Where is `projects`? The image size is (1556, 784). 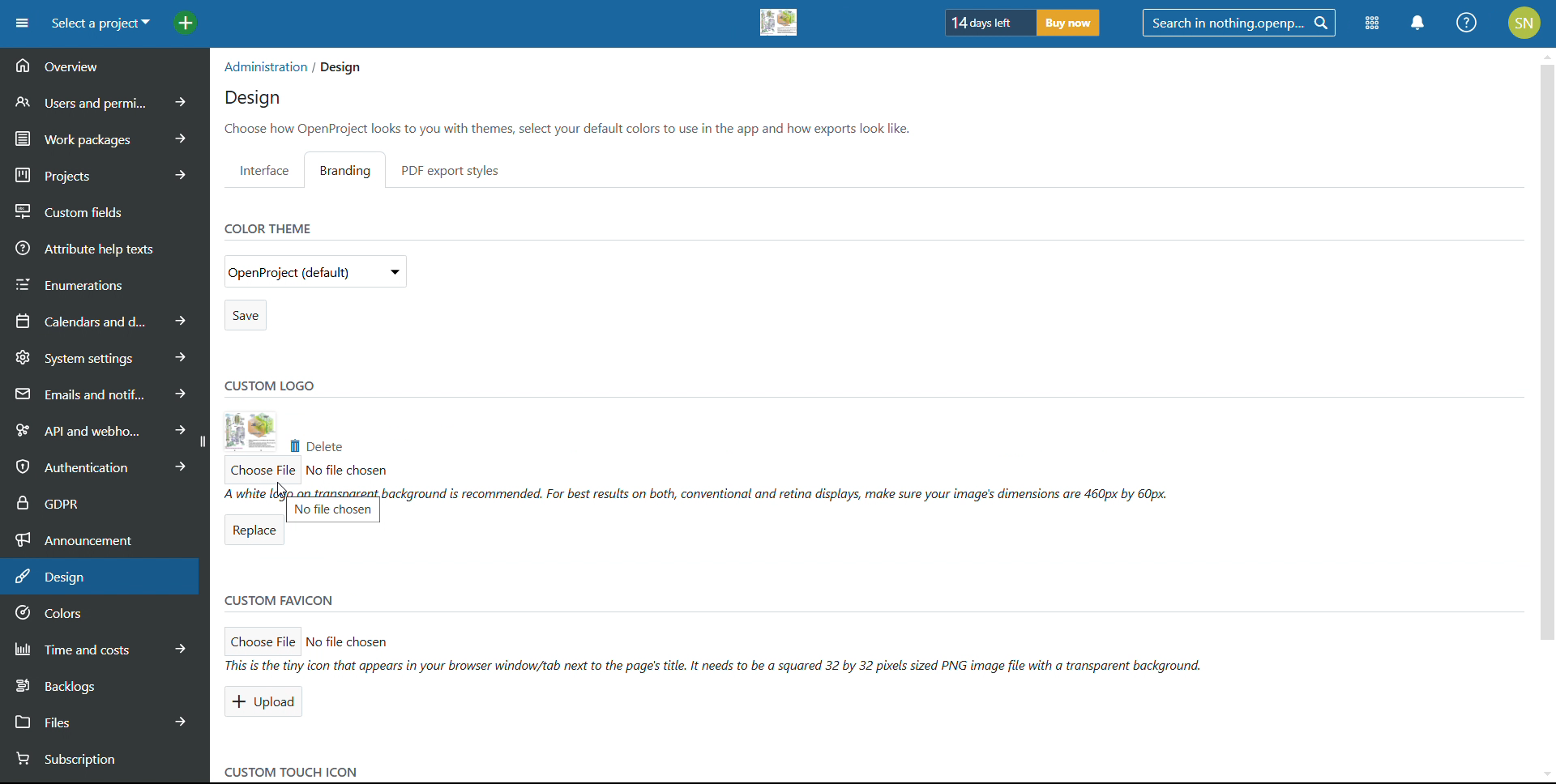 projects is located at coordinates (105, 173).